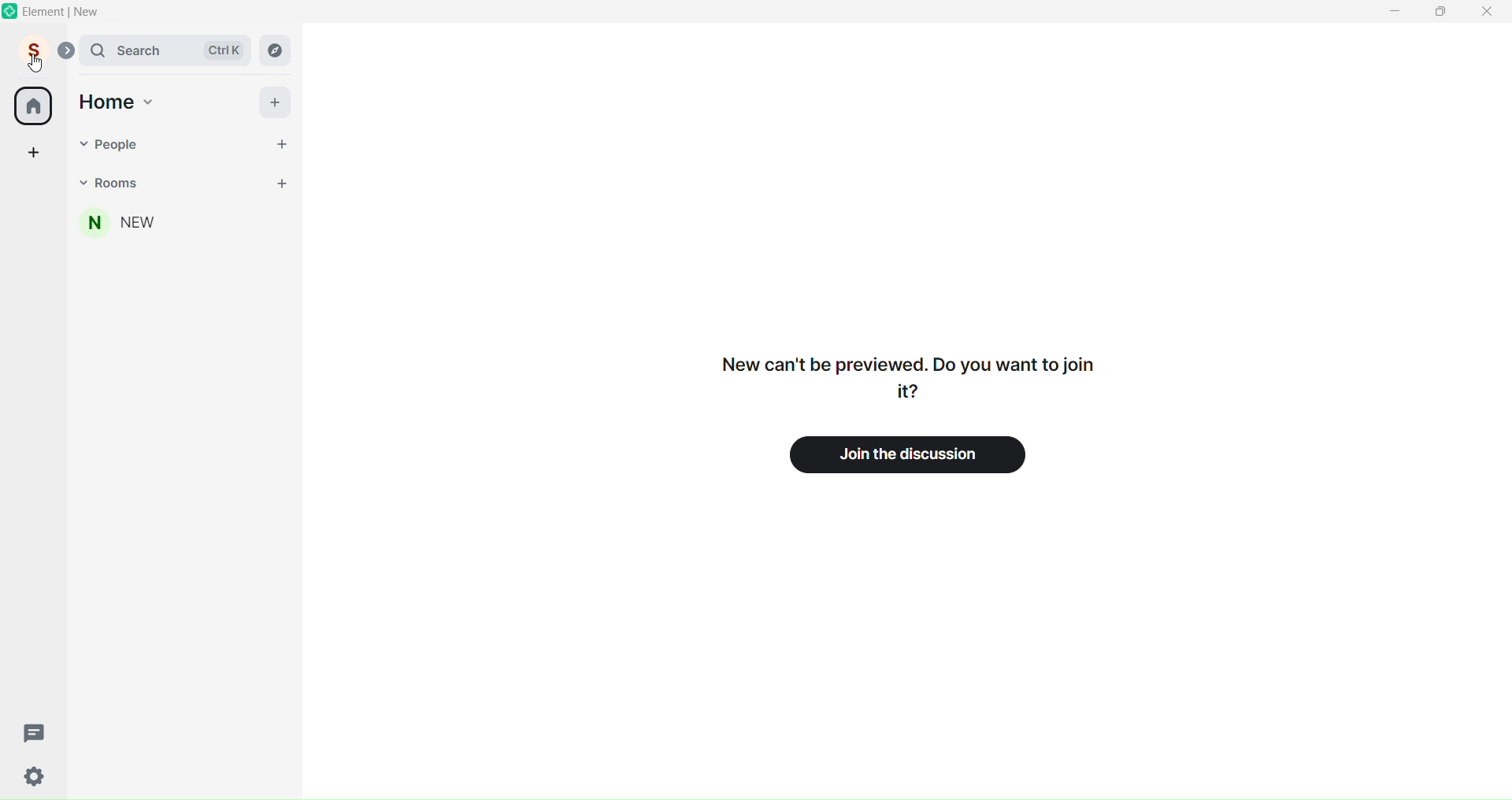 Image resolution: width=1512 pixels, height=800 pixels. What do you see at coordinates (37, 64) in the screenshot?
I see `cursor` at bounding box center [37, 64].